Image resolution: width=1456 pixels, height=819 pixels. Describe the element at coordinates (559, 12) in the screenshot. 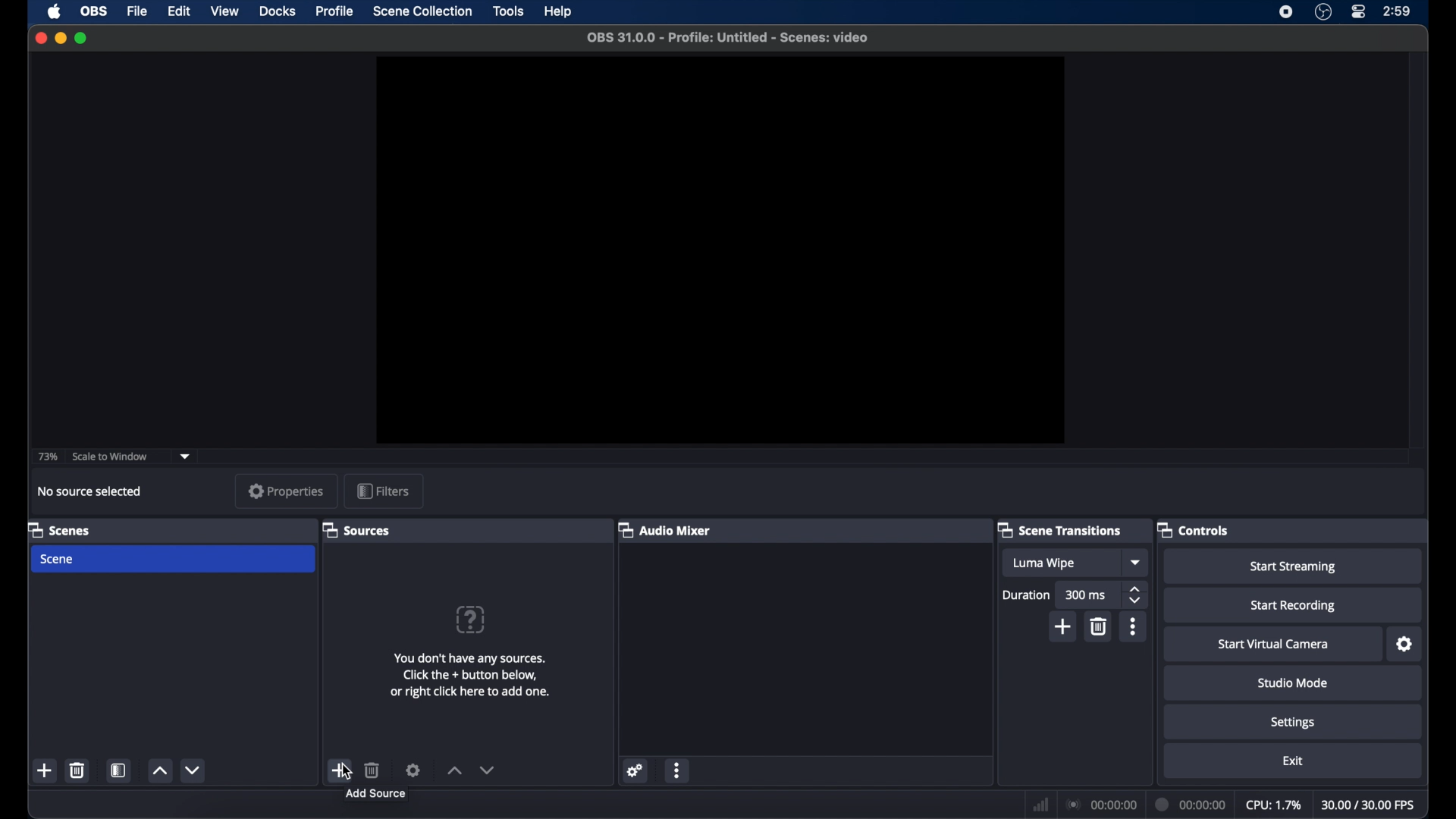

I see `help` at that location.